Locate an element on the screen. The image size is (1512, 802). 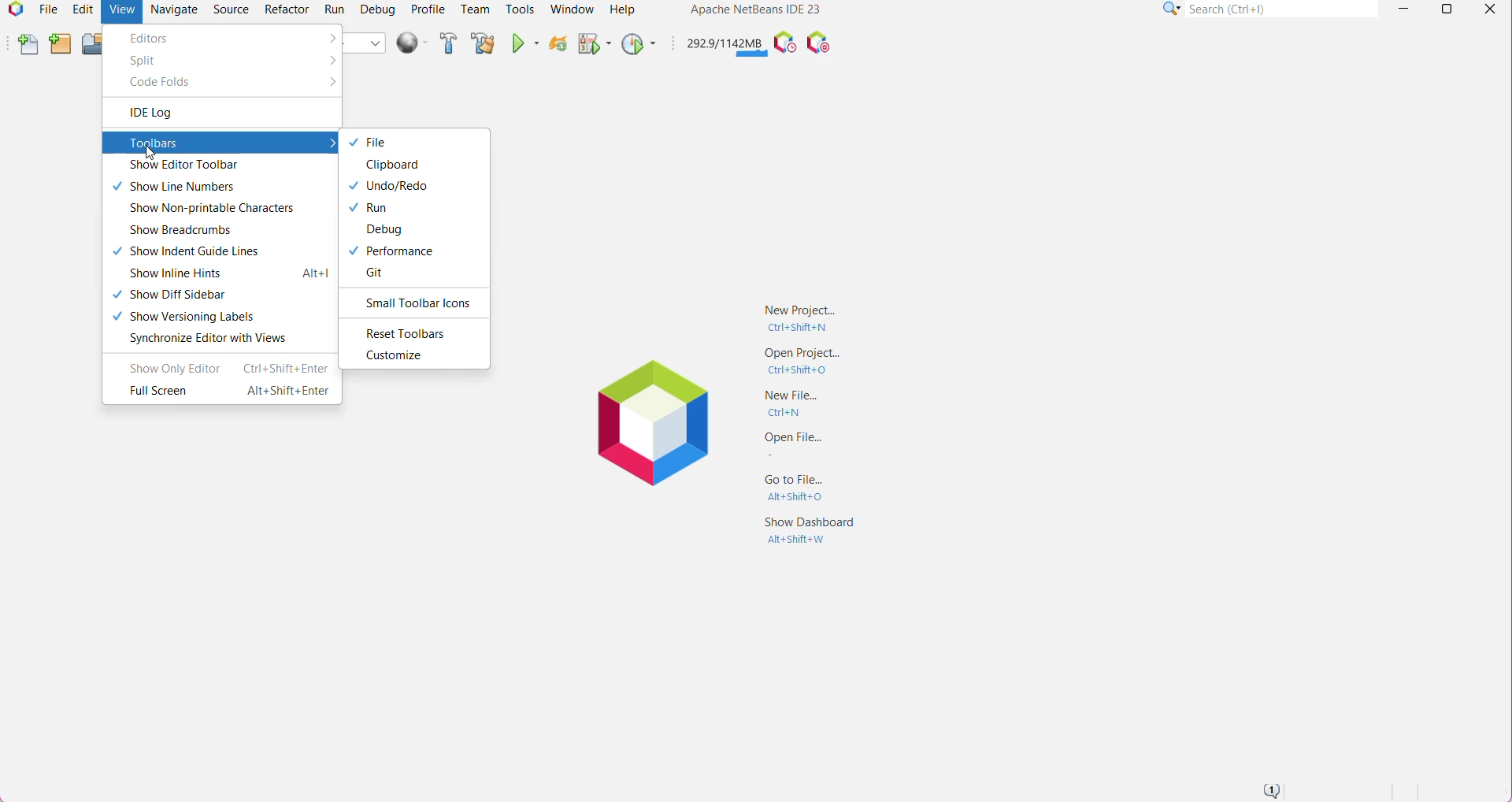
More options is located at coordinates (328, 83).